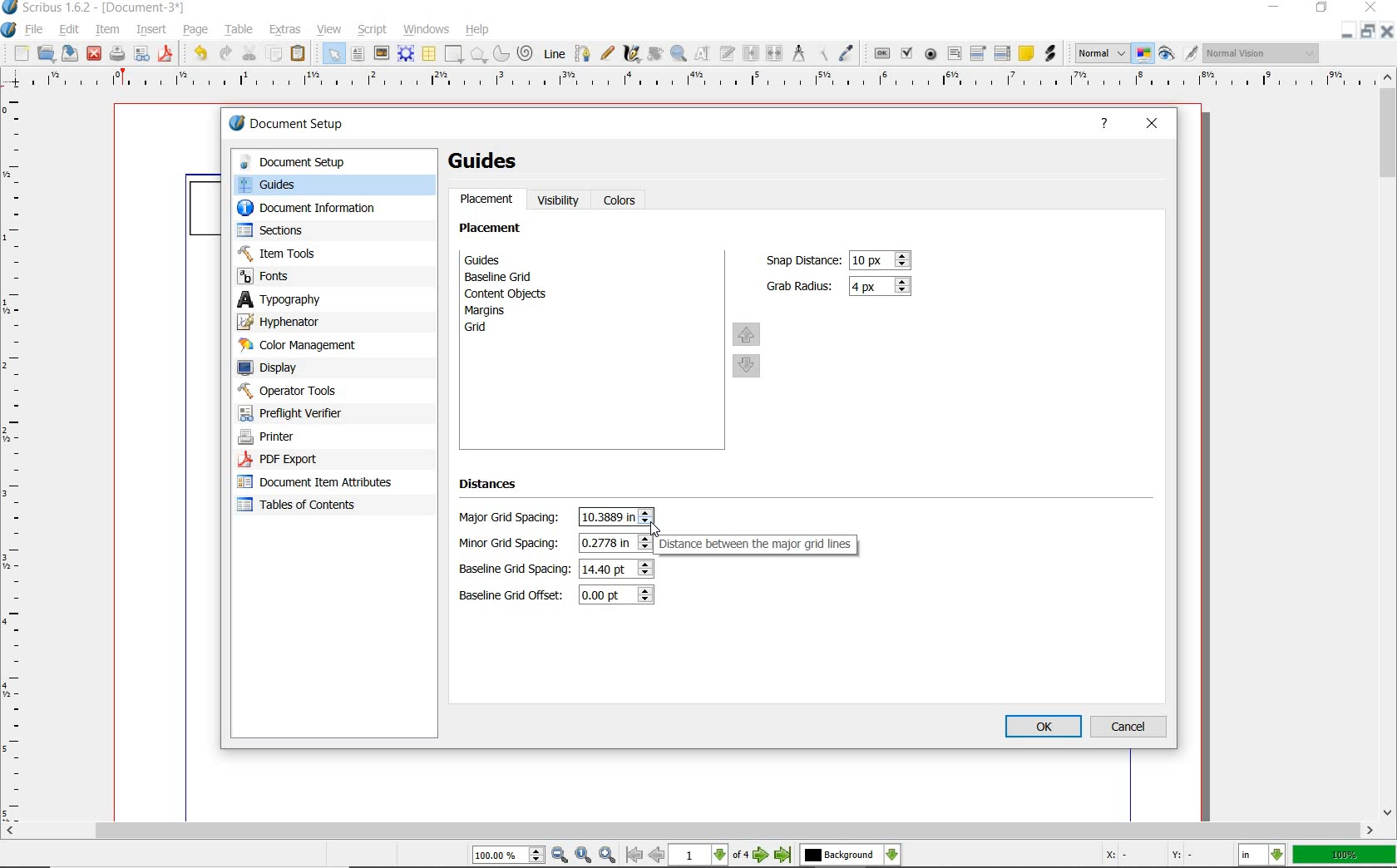  What do you see at coordinates (327, 391) in the screenshot?
I see `operator tools` at bounding box center [327, 391].